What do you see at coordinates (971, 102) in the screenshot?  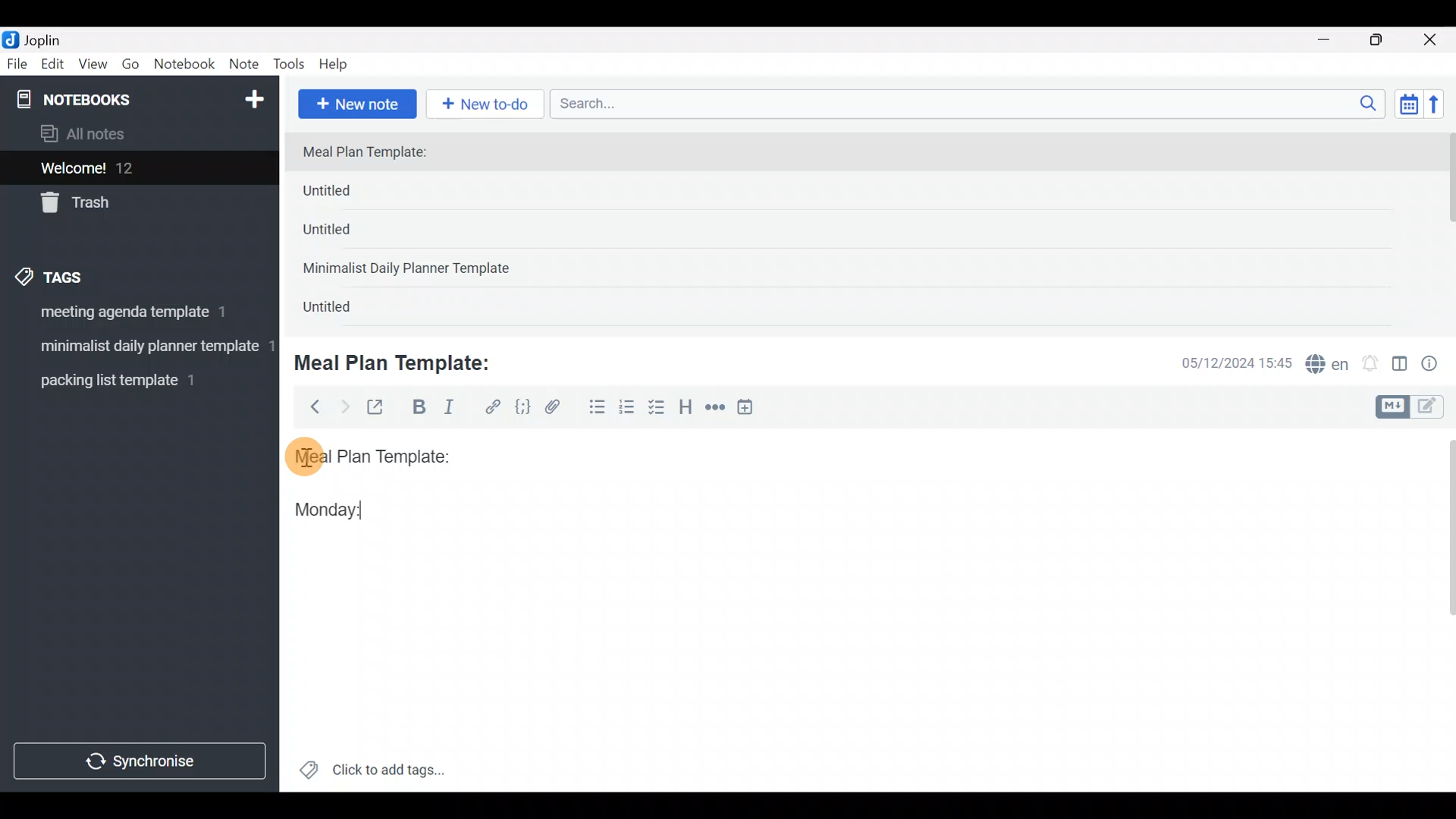 I see `Search bar` at bounding box center [971, 102].